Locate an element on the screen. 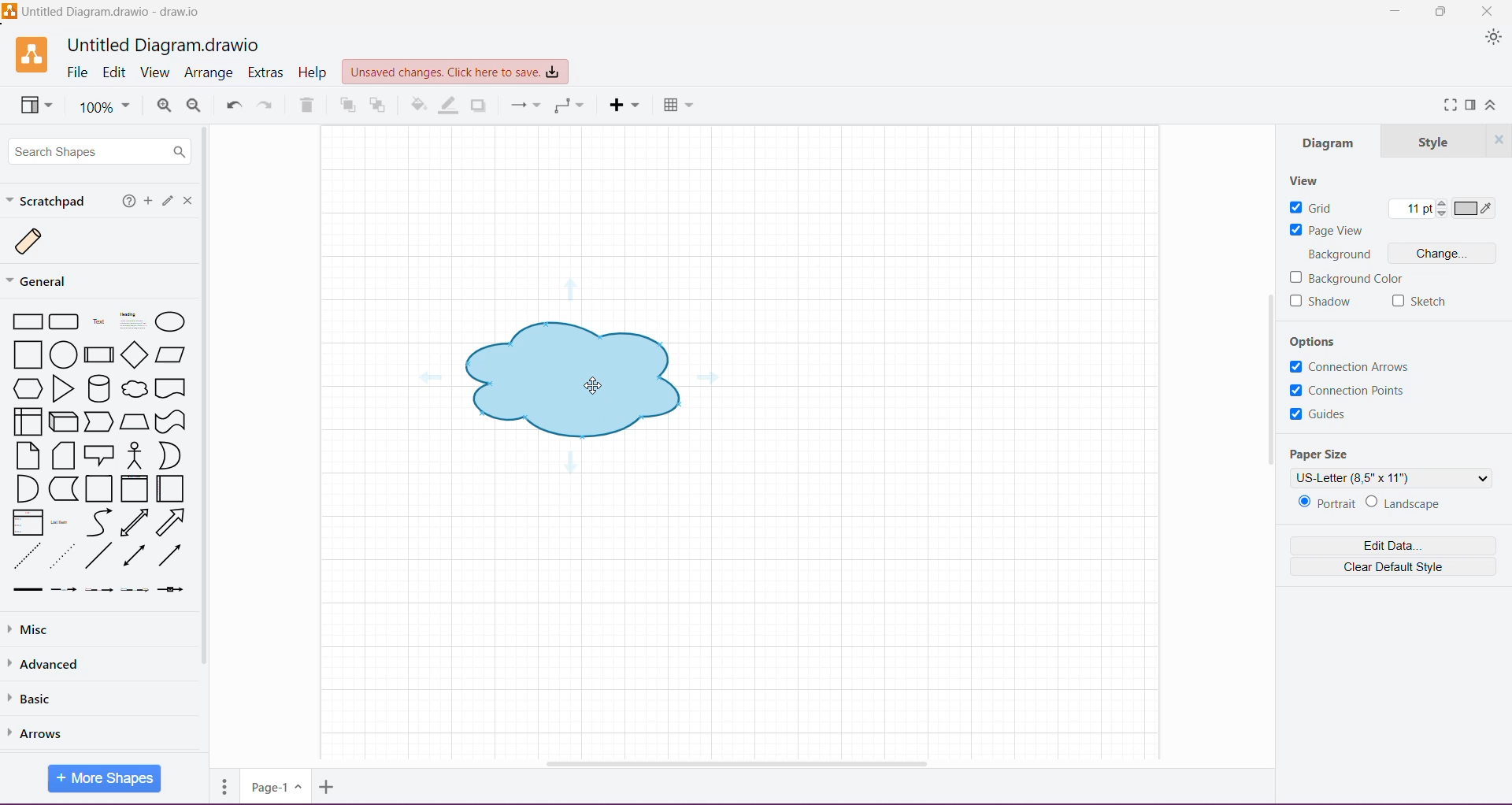 Image resolution: width=1512 pixels, height=805 pixels. 100% is located at coordinates (105, 108).